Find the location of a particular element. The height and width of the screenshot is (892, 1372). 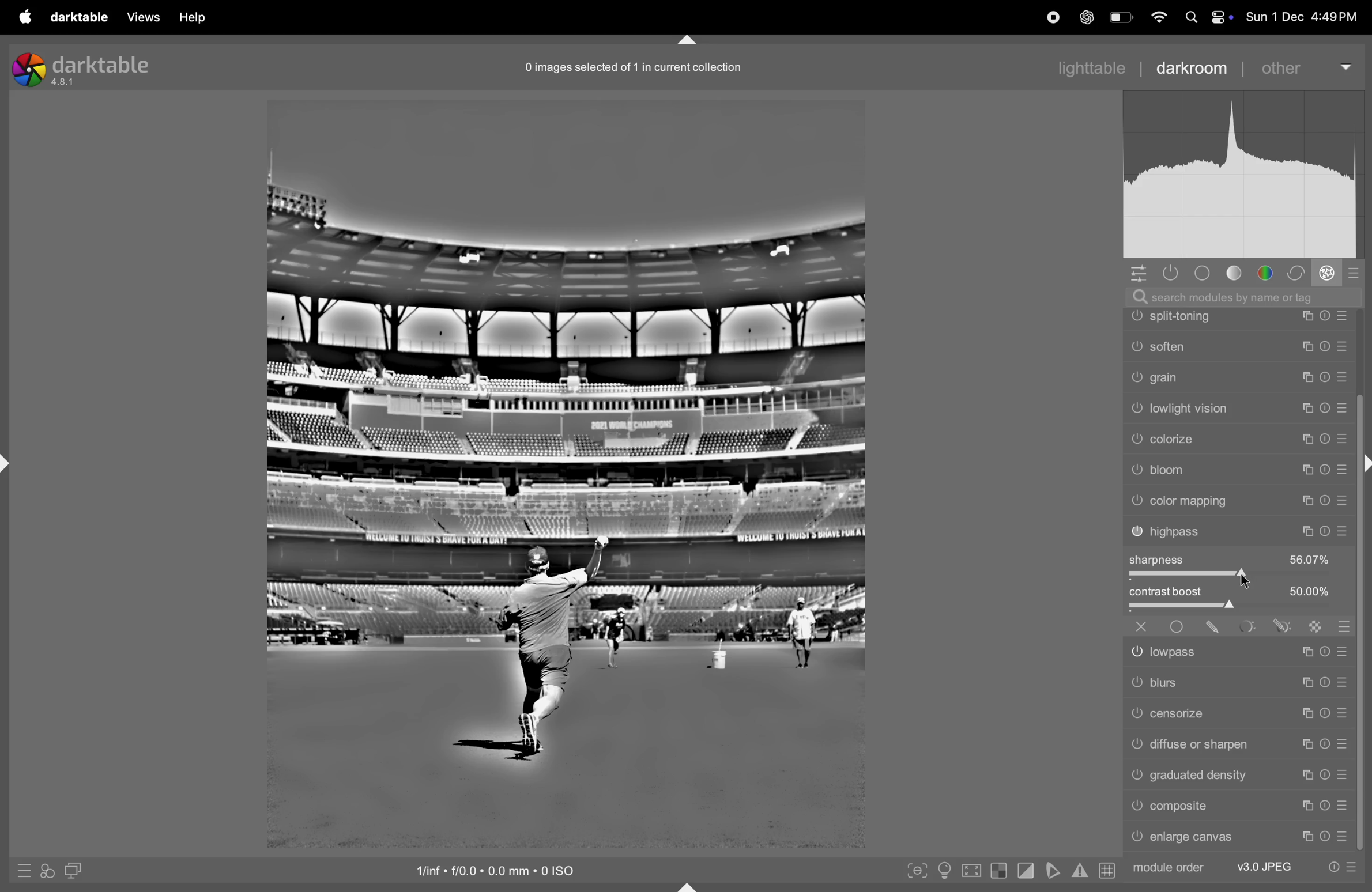

apple widgets is located at coordinates (1209, 17).